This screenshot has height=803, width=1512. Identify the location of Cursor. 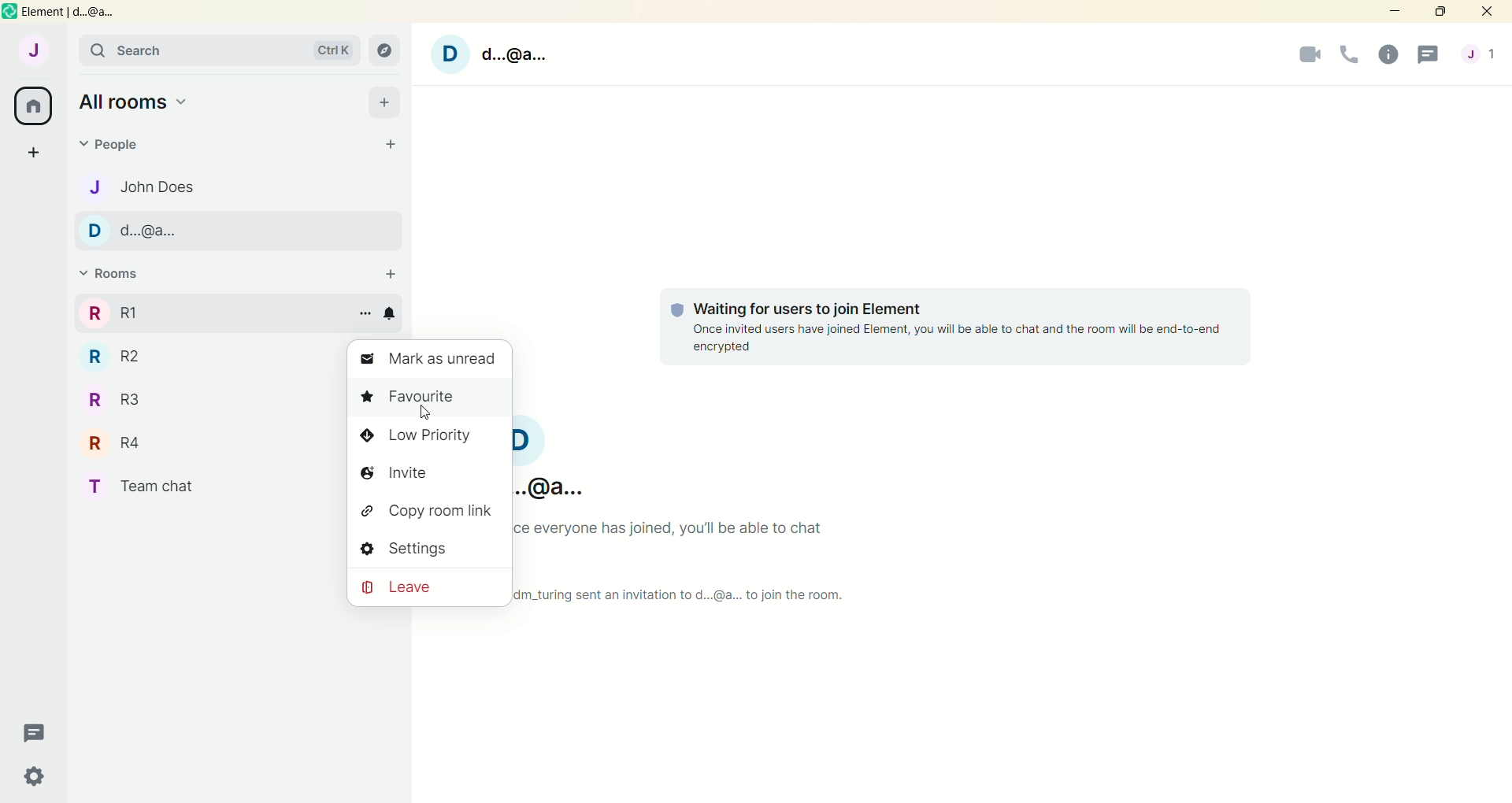
(428, 413).